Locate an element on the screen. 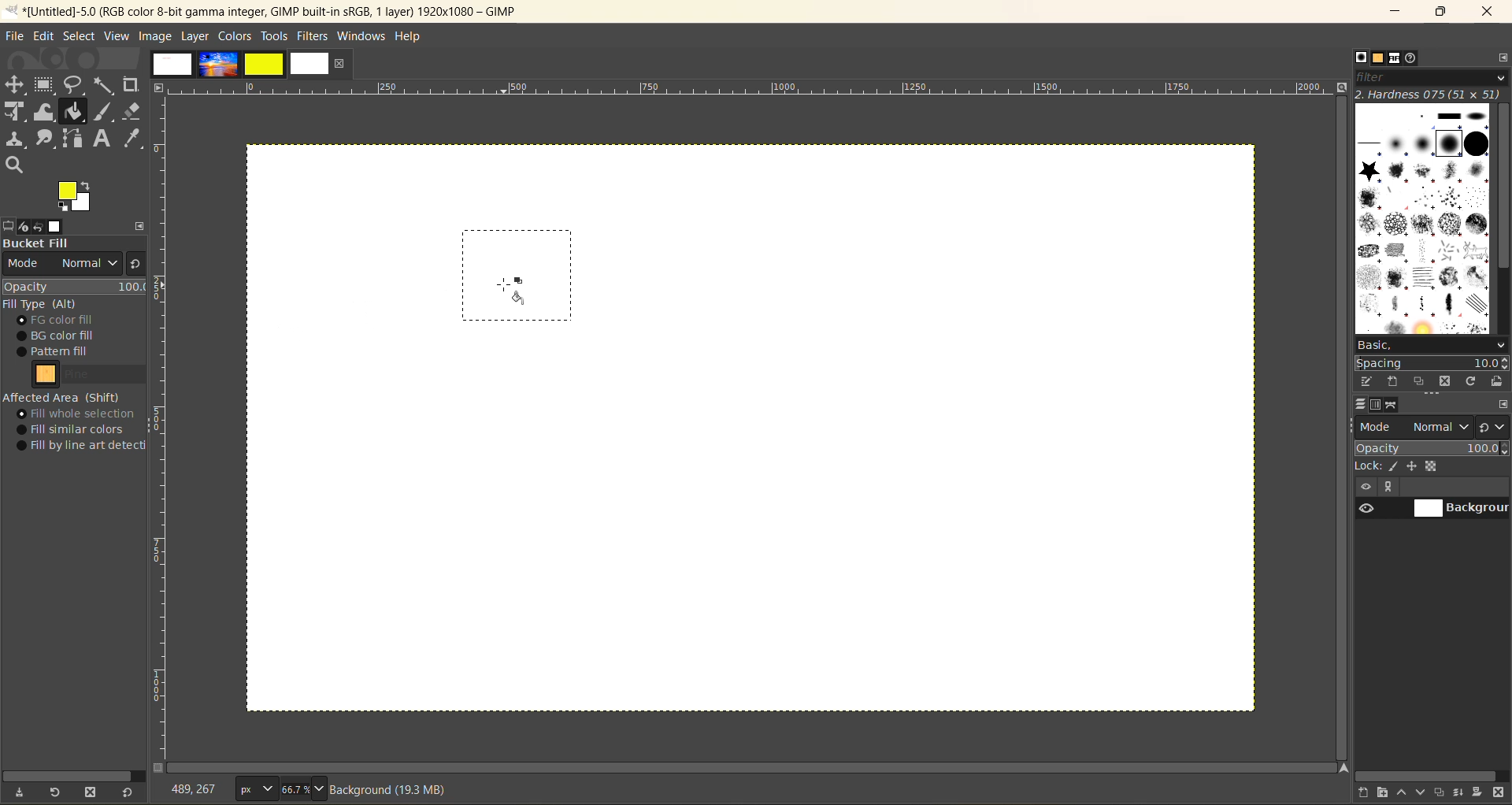  edit is located at coordinates (46, 37).